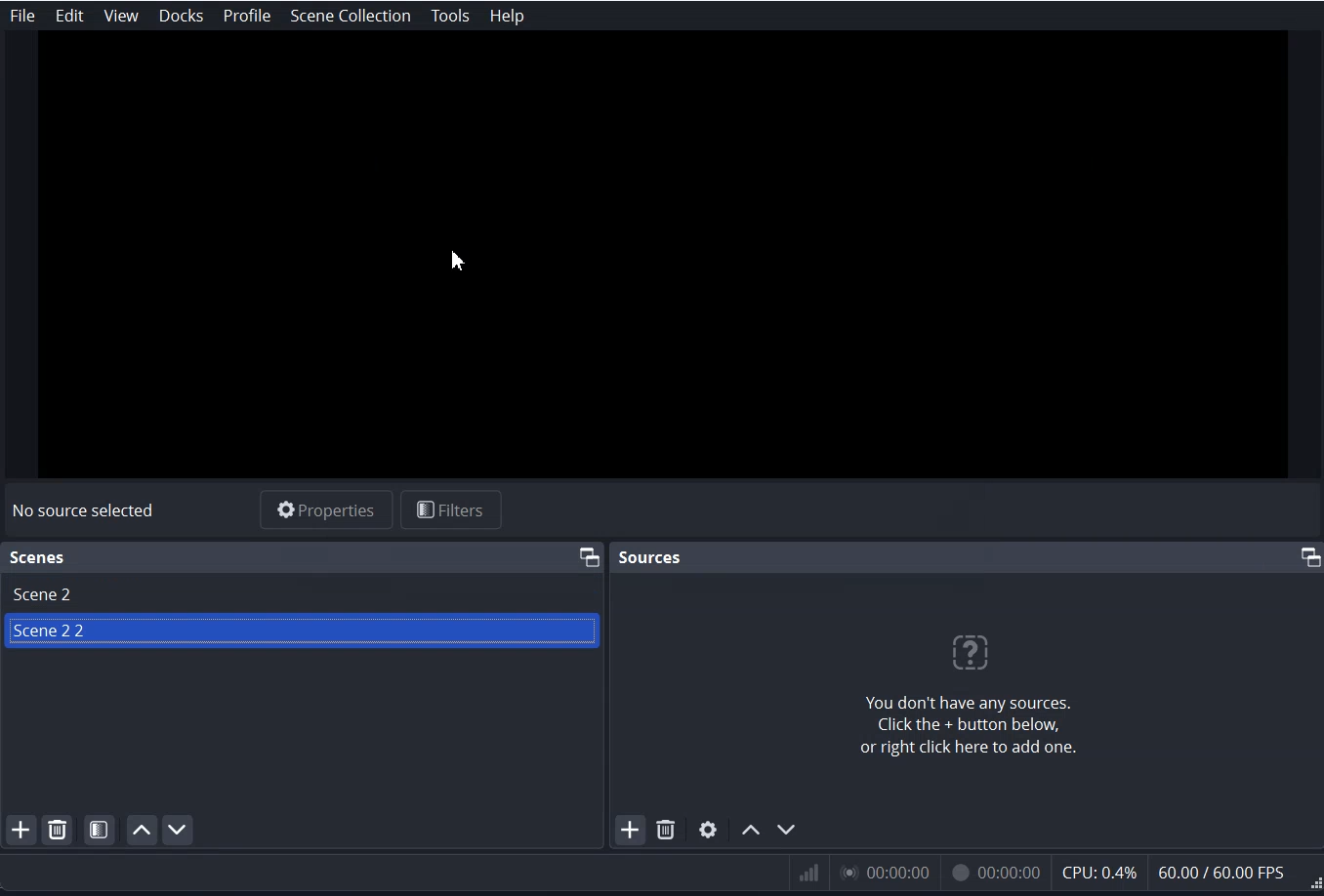 The width and height of the screenshot is (1324, 896). Describe the element at coordinates (971, 694) in the screenshot. I see `Text about no sources and how to add a new source` at that location.